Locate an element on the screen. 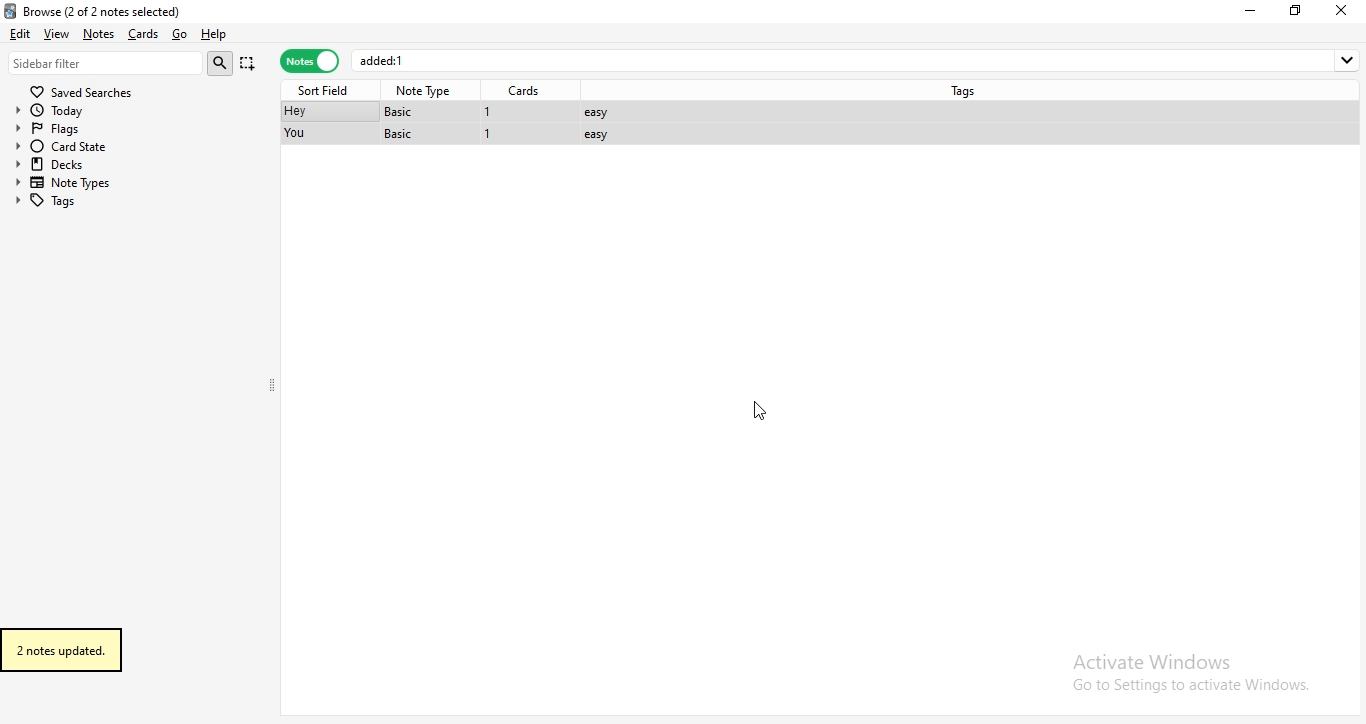 This screenshot has height=724, width=1366. cards is located at coordinates (141, 34).